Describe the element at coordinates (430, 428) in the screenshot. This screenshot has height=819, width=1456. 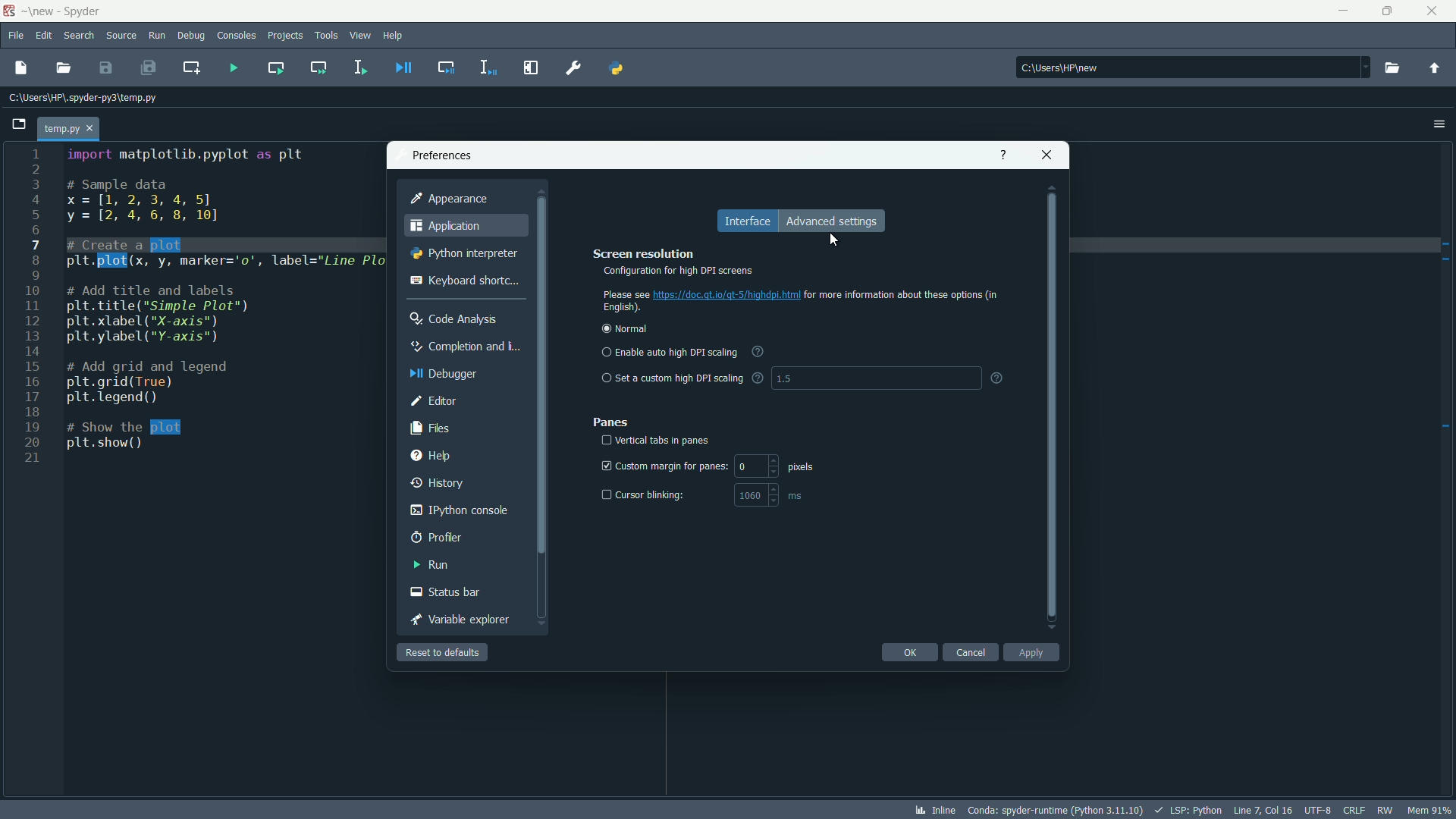
I see `files` at that location.